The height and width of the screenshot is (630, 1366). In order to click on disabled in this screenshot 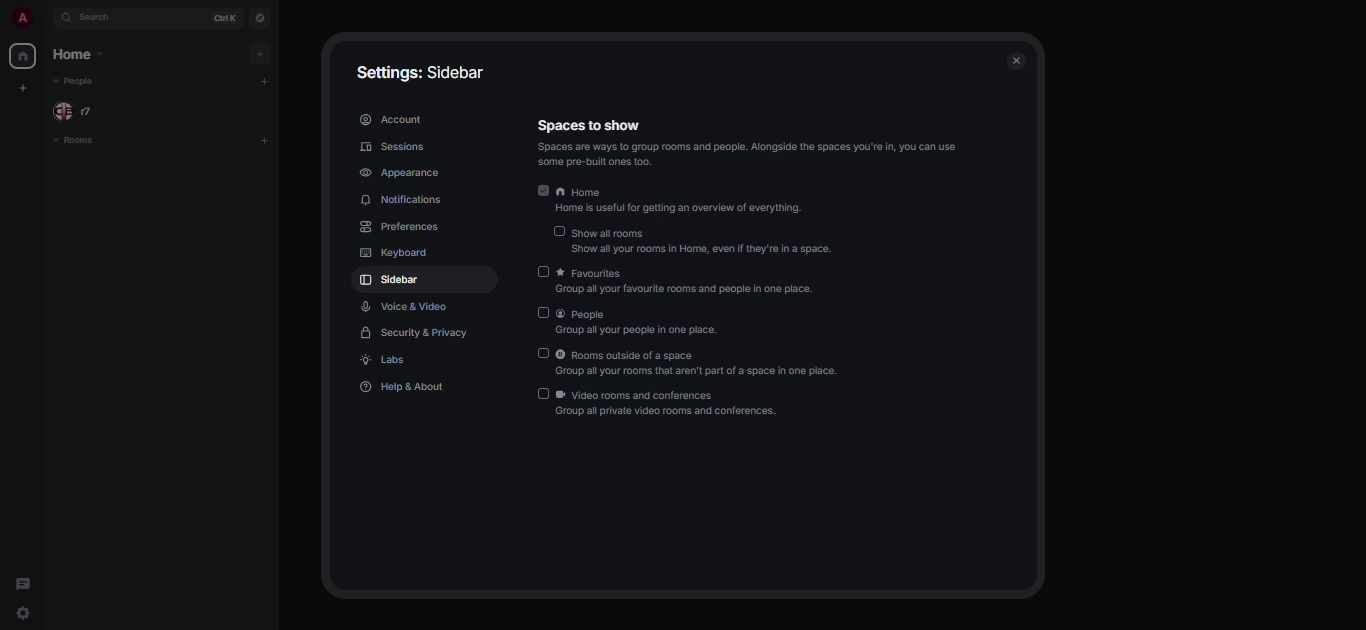, I will do `click(543, 272)`.